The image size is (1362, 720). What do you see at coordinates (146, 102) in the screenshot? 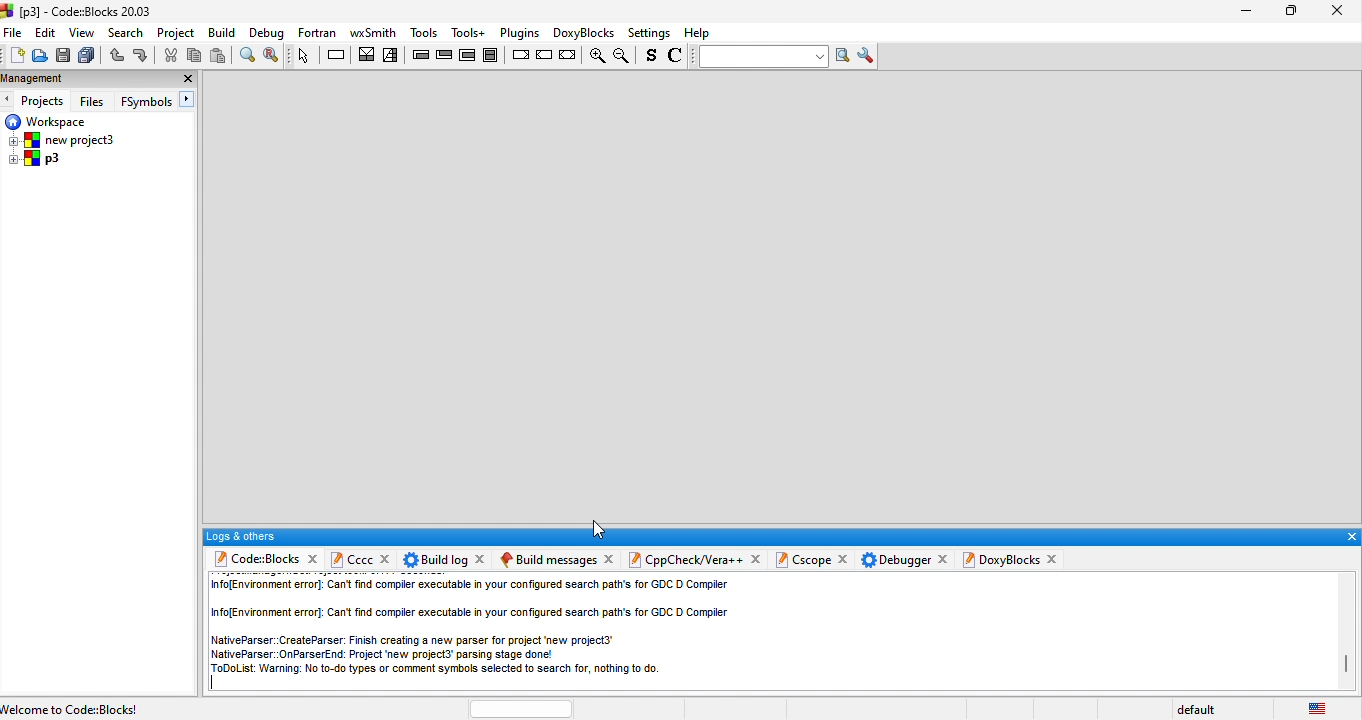
I see `FSymbols` at bounding box center [146, 102].